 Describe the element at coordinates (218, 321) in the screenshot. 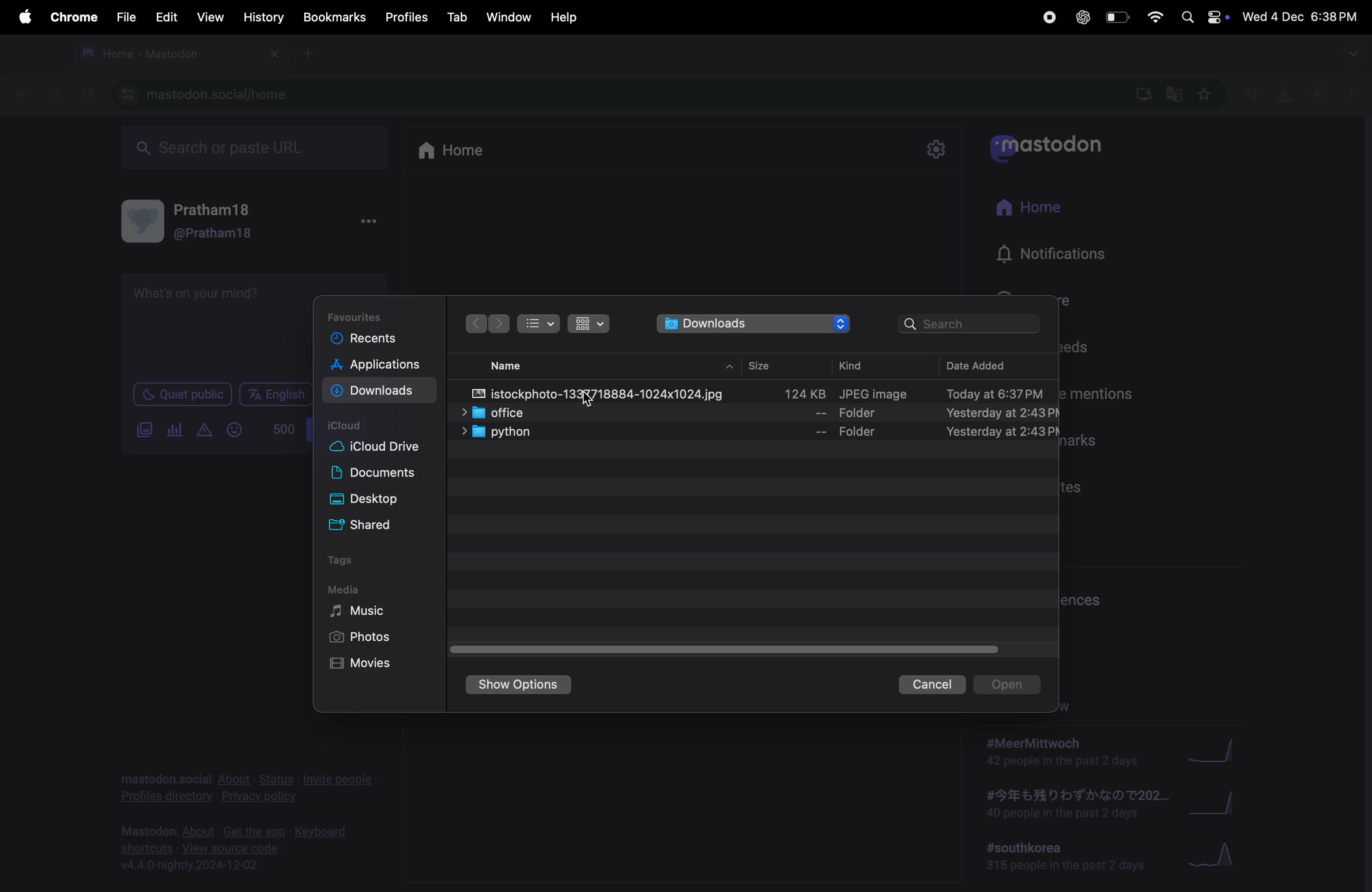

I see `tet box` at that location.